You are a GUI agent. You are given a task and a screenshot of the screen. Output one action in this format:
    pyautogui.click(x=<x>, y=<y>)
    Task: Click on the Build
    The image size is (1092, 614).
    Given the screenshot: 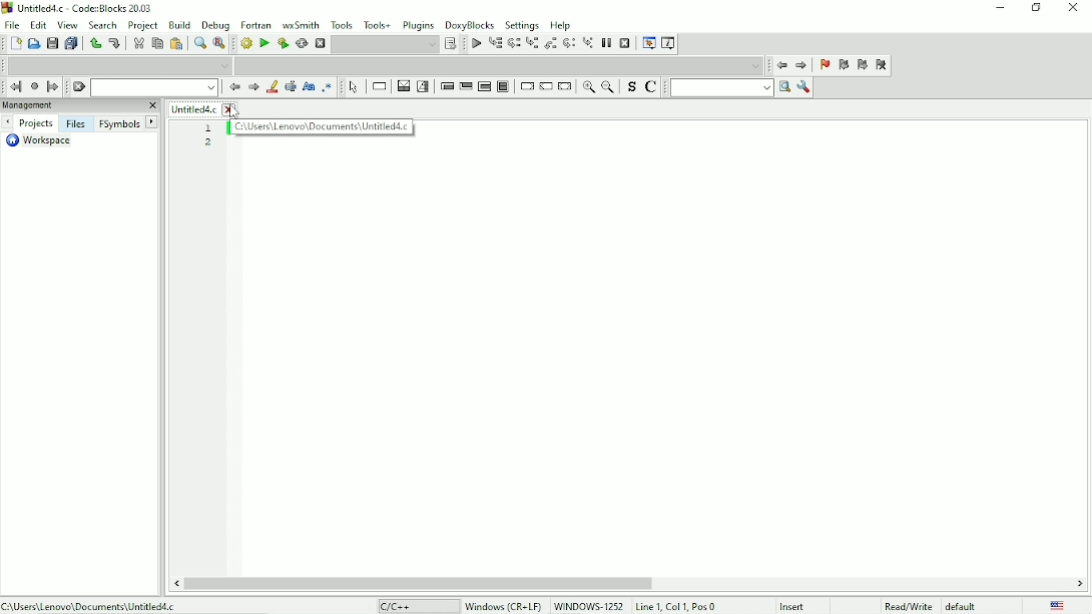 What is the action you would take?
    pyautogui.click(x=180, y=25)
    